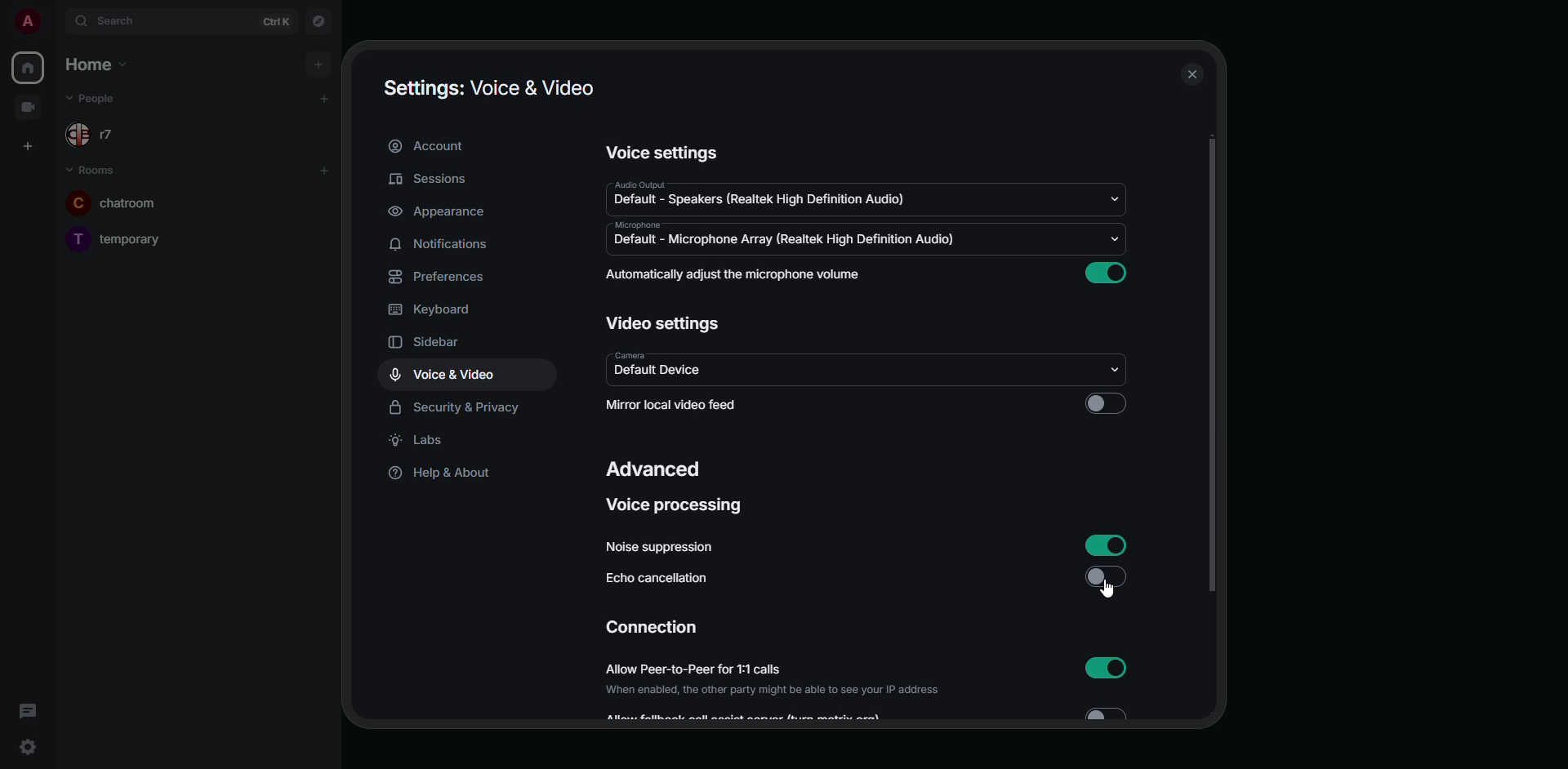  I want to click on add, so click(320, 63).